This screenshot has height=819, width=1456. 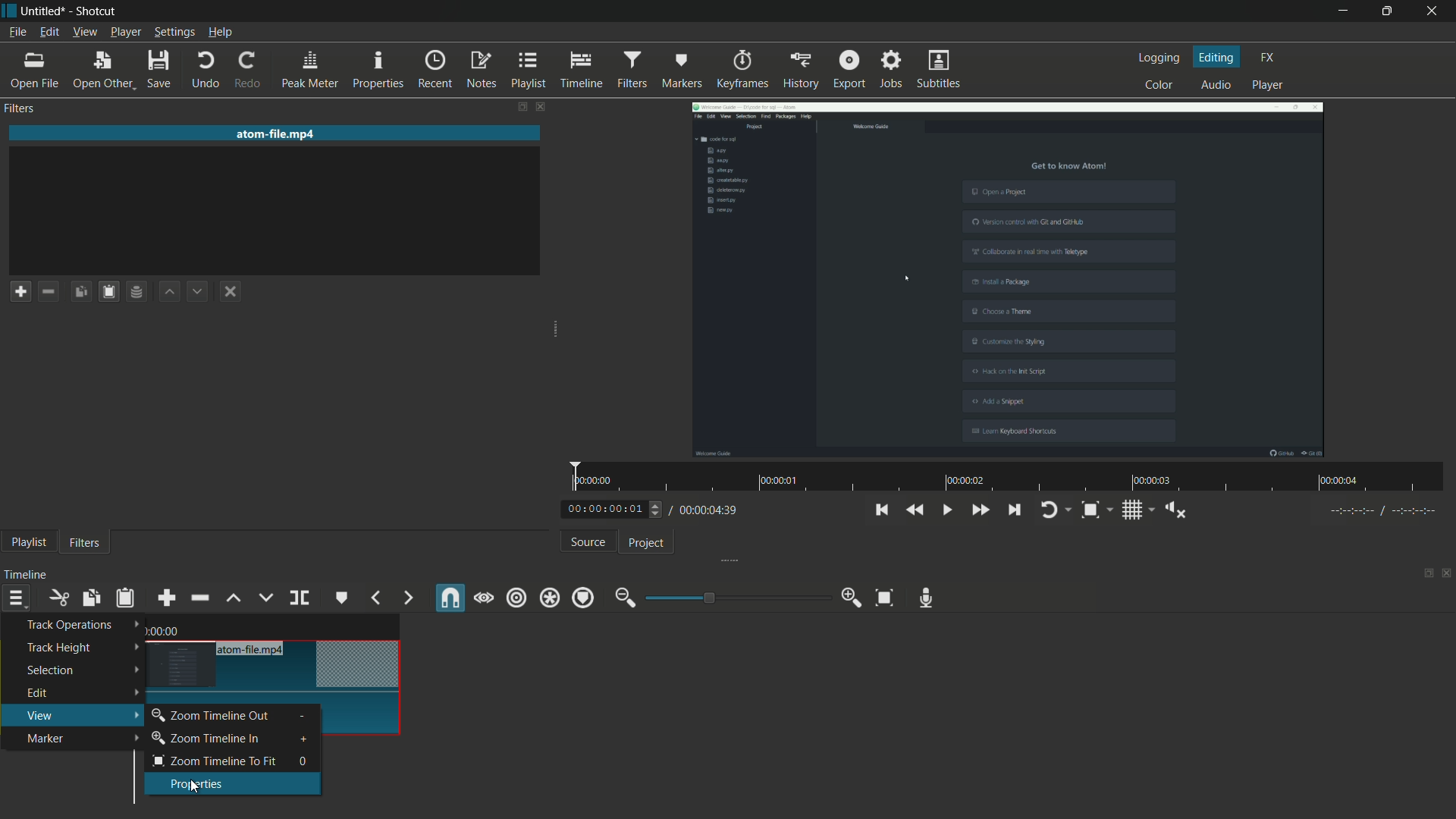 What do you see at coordinates (160, 71) in the screenshot?
I see `save` at bounding box center [160, 71].